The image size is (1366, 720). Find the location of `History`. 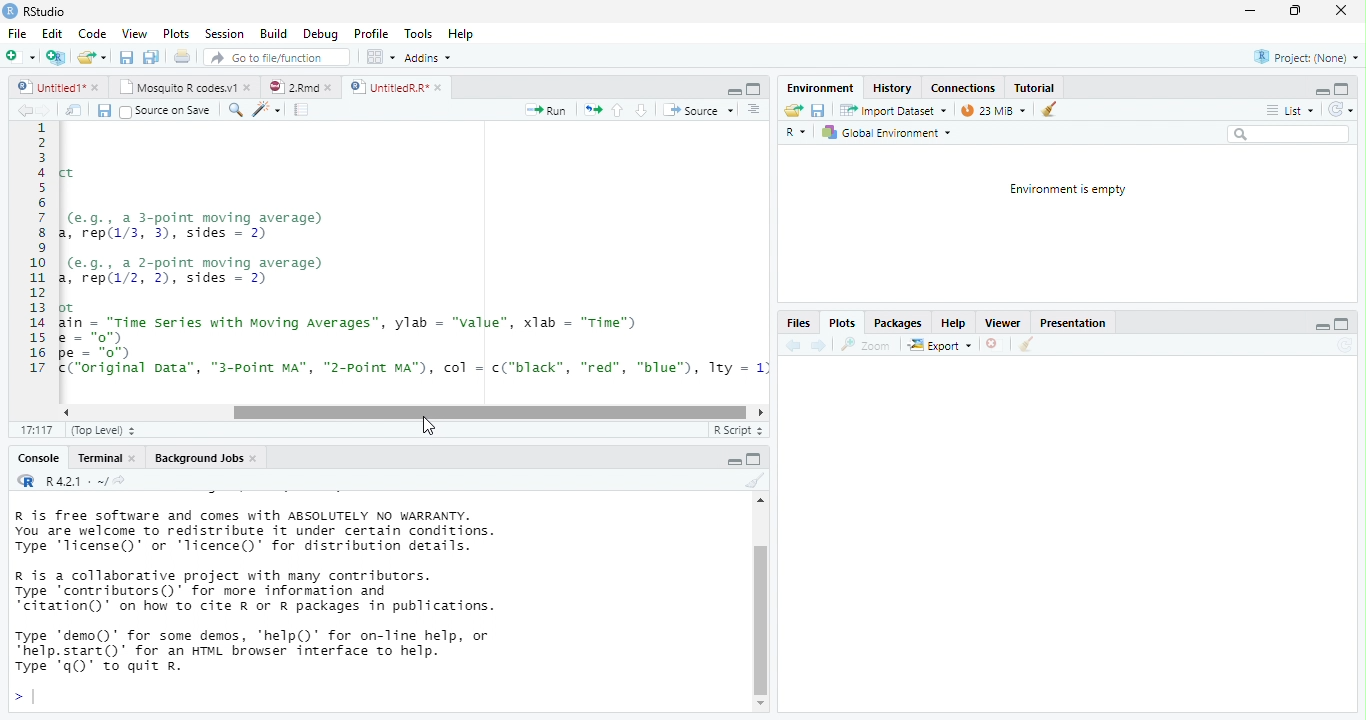

History is located at coordinates (892, 87).